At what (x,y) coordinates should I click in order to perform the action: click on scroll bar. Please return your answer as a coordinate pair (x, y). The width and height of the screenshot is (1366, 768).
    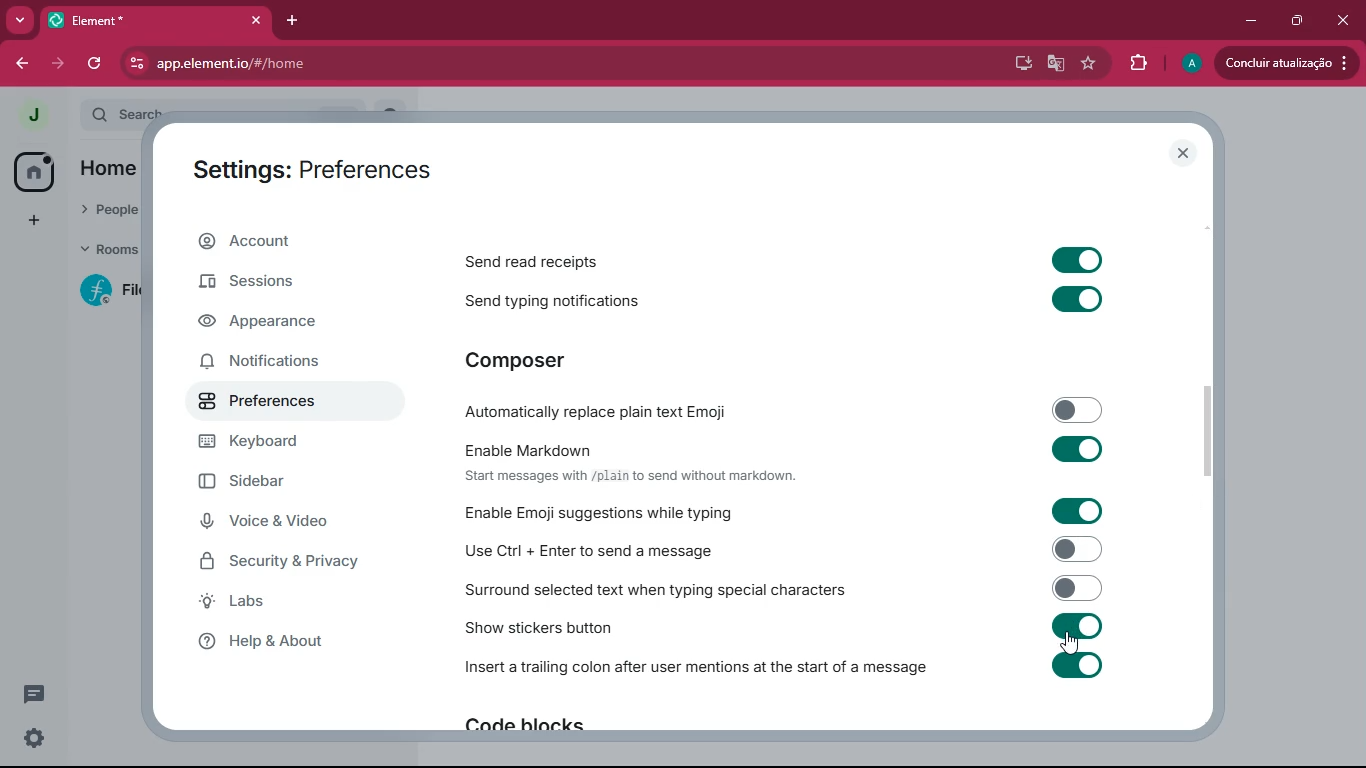
    Looking at the image, I should click on (1212, 433).